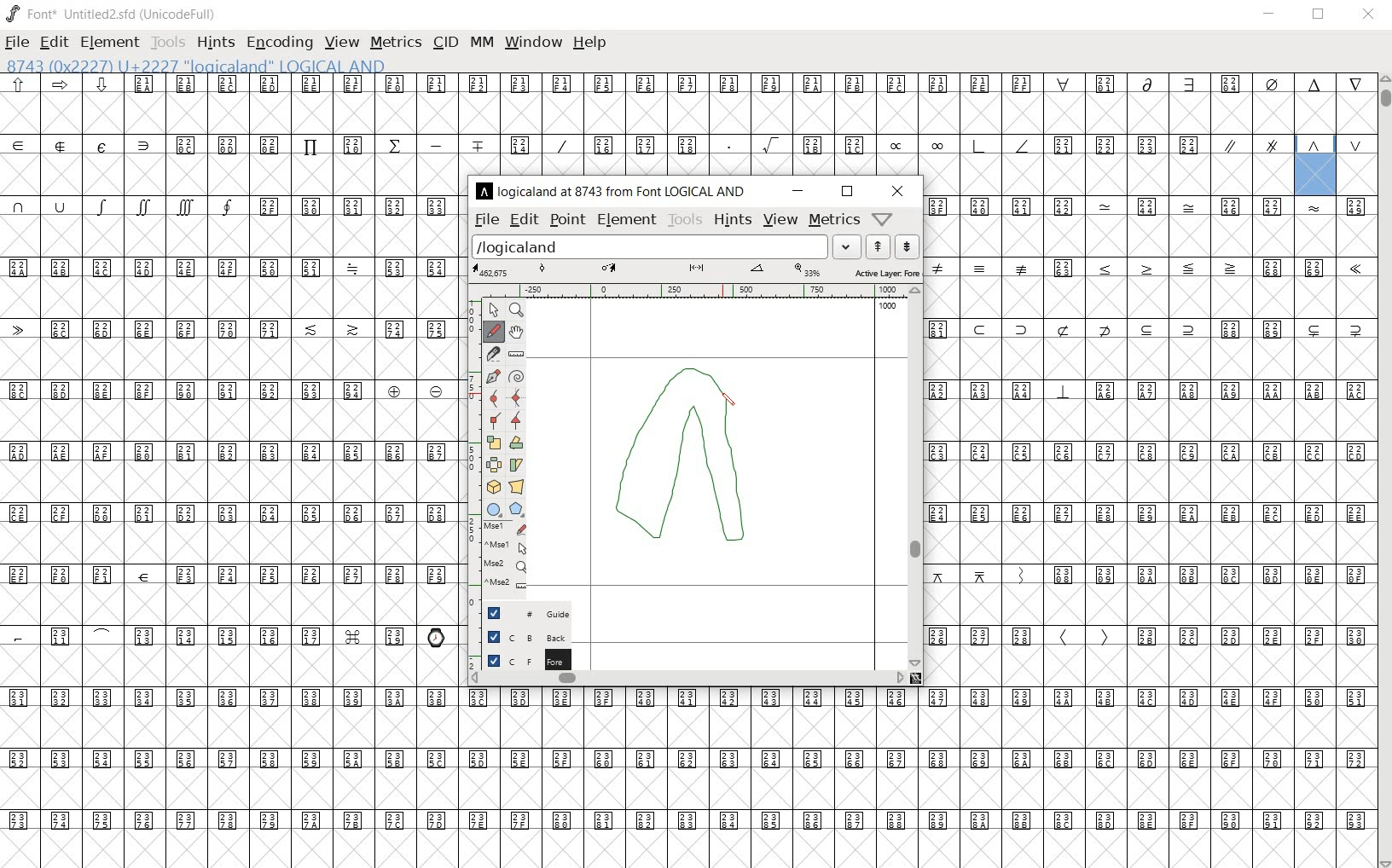 Image resolution: width=1392 pixels, height=868 pixels. Describe the element at coordinates (665, 246) in the screenshot. I see `load word list` at that location.